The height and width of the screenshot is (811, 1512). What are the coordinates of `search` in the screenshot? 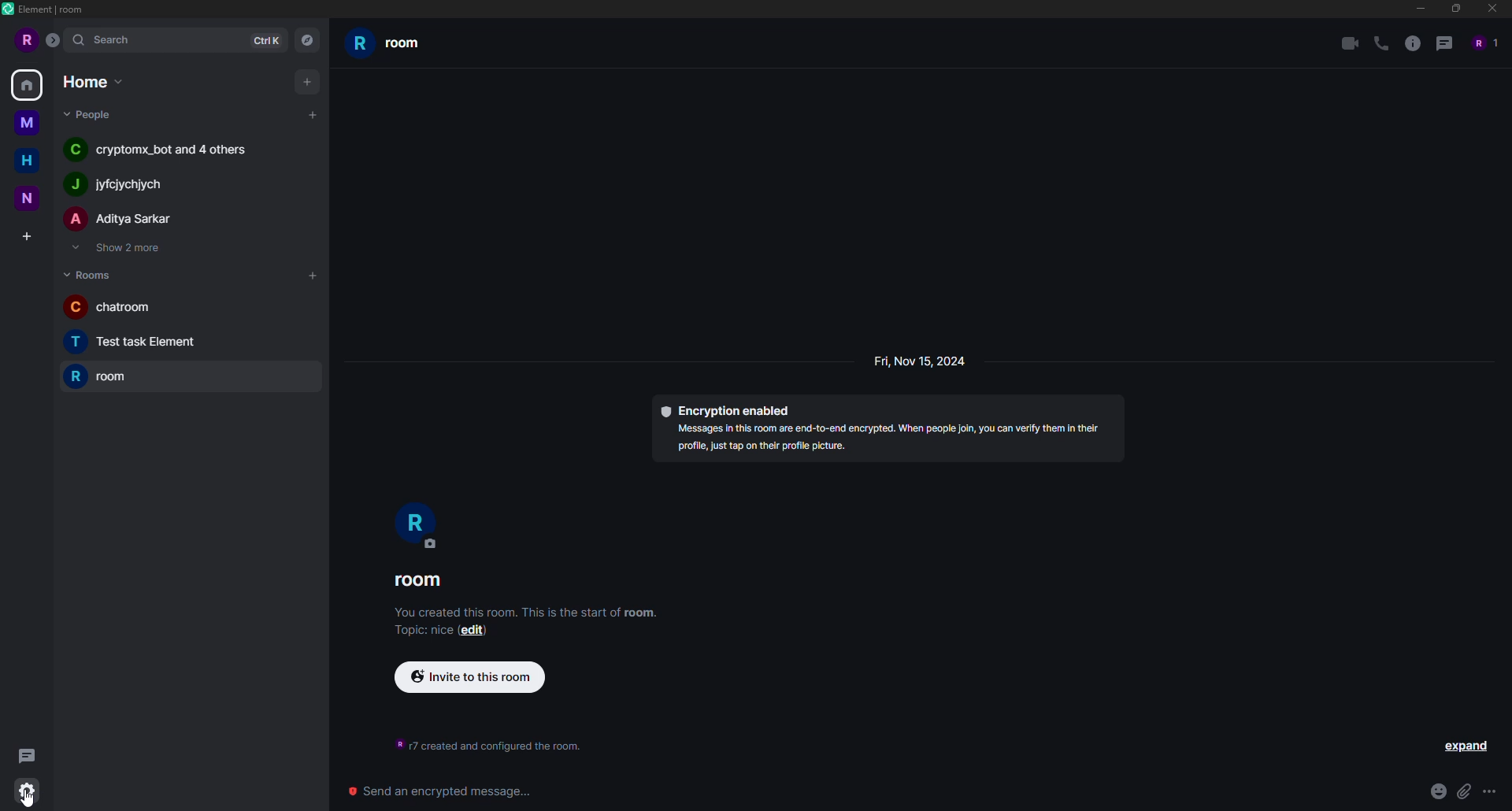 It's located at (112, 40).